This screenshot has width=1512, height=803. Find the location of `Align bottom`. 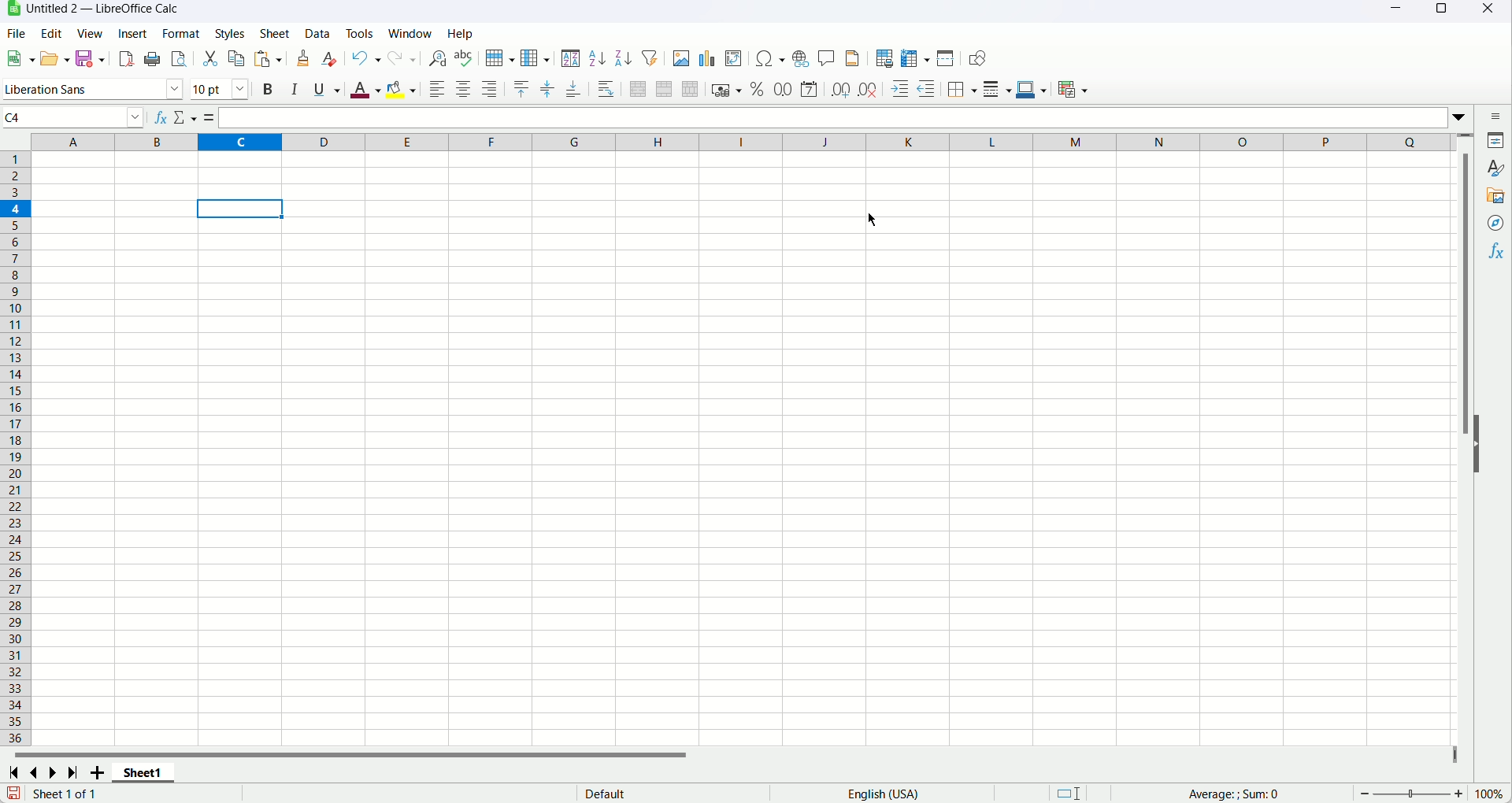

Align bottom is located at coordinates (574, 89).